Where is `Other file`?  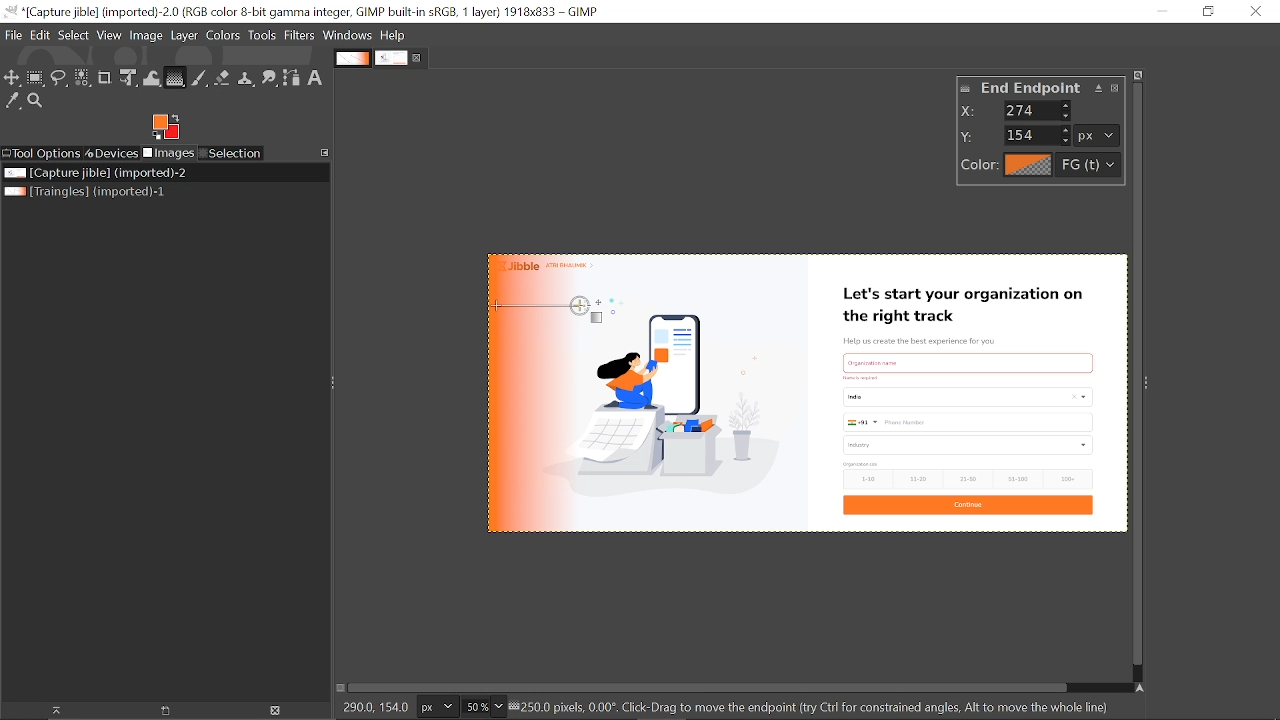
Other file is located at coordinates (88, 192).